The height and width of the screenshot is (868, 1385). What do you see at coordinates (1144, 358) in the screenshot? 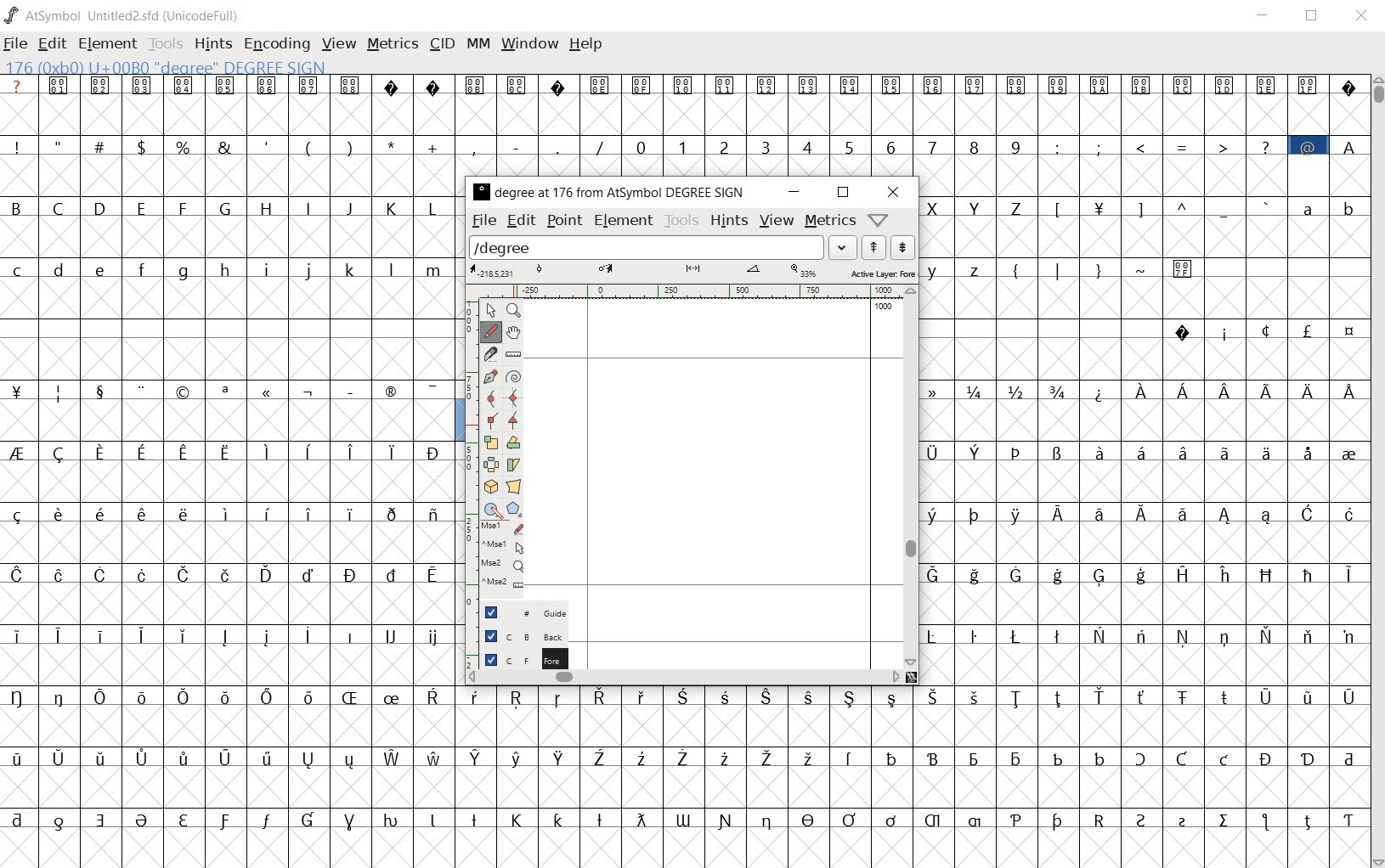
I see `empty glyph slots` at bounding box center [1144, 358].